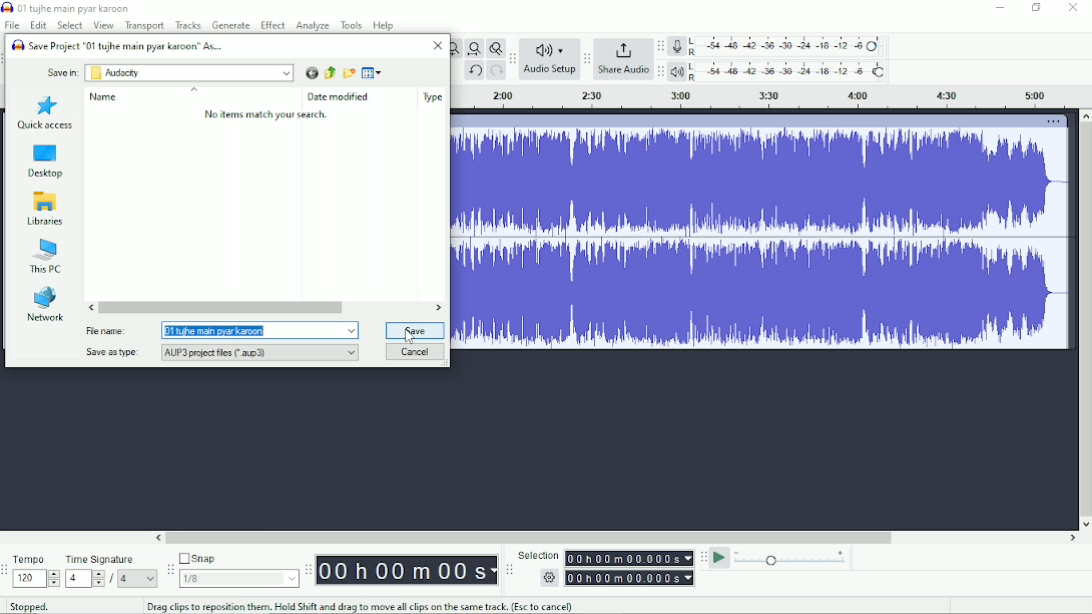 The height and width of the screenshot is (614, 1092). I want to click on Redo, so click(496, 70).